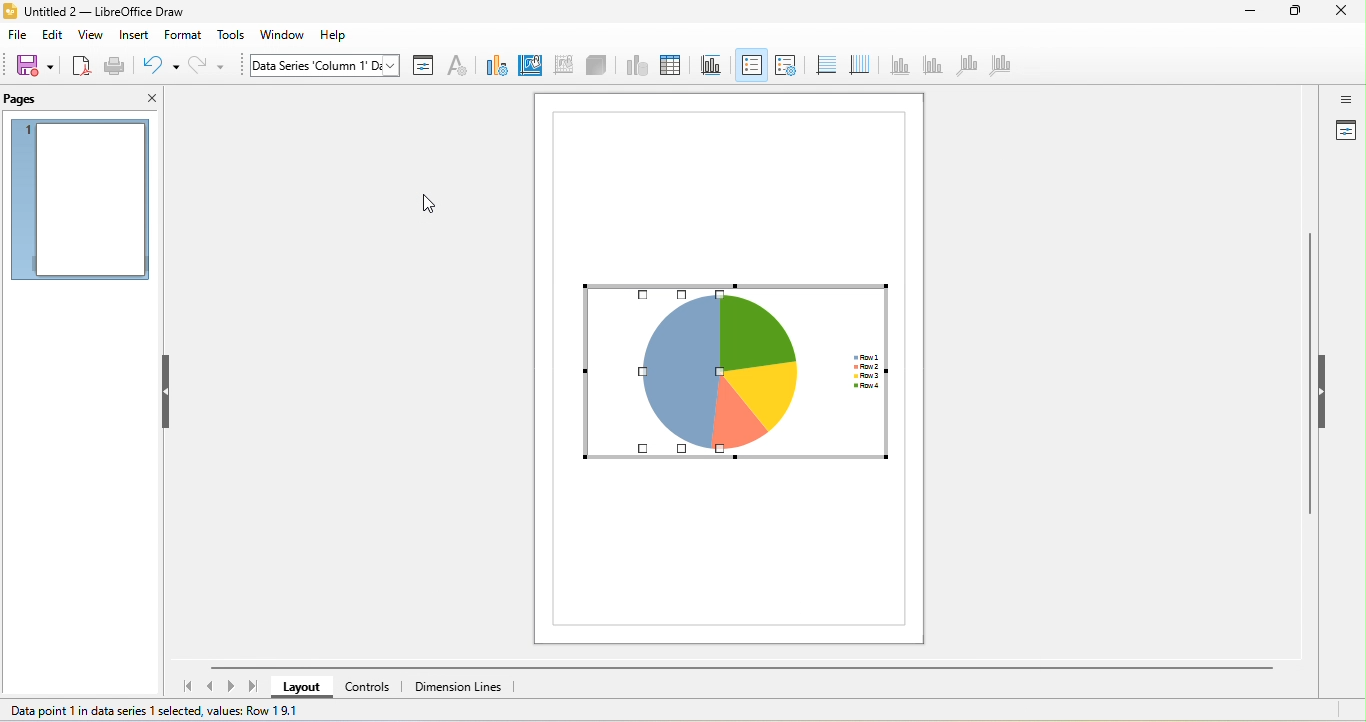 The height and width of the screenshot is (722, 1366). Describe the element at coordinates (634, 66) in the screenshot. I see `data ranges` at that location.